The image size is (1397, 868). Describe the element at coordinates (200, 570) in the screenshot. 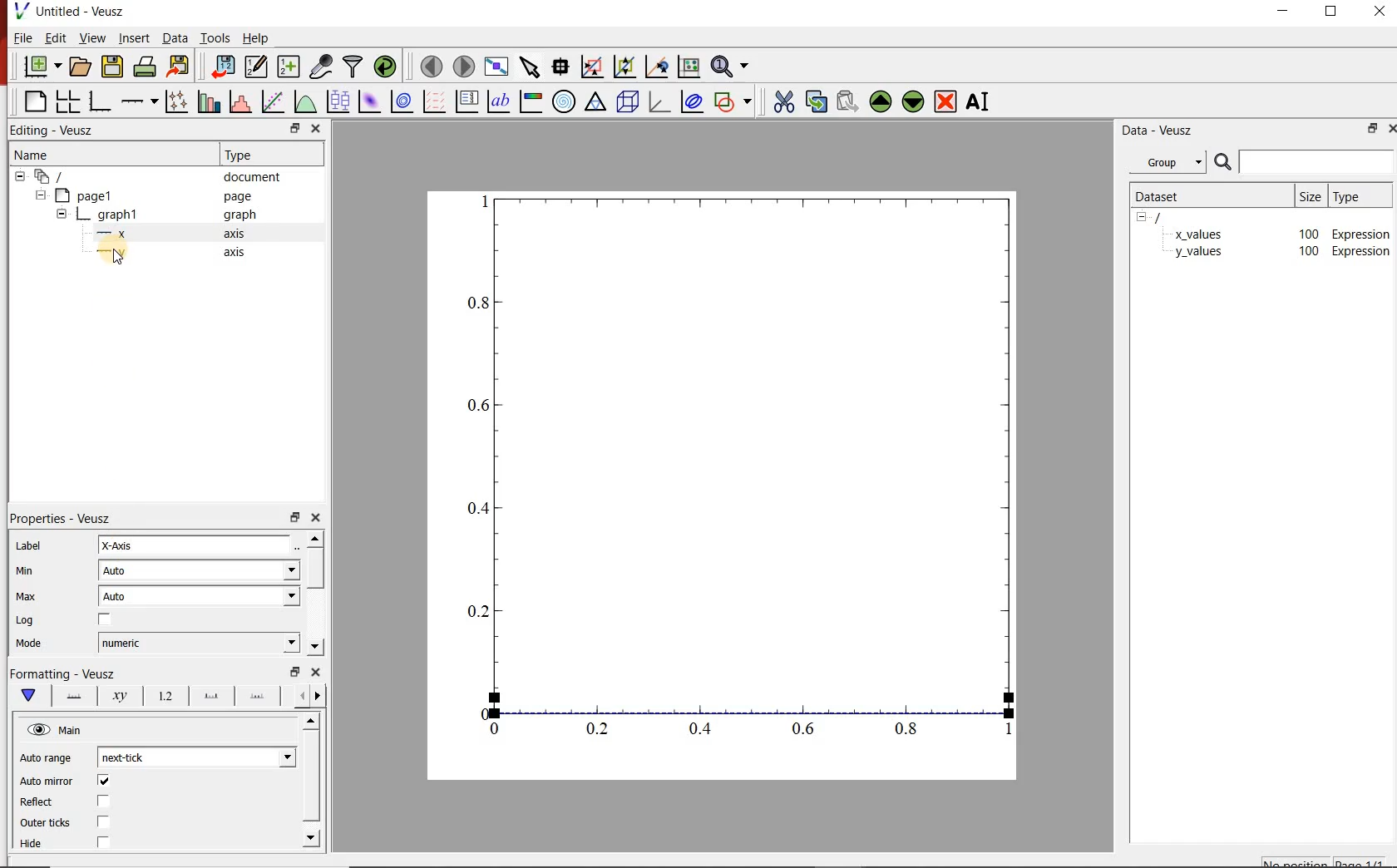

I see `auto` at that location.